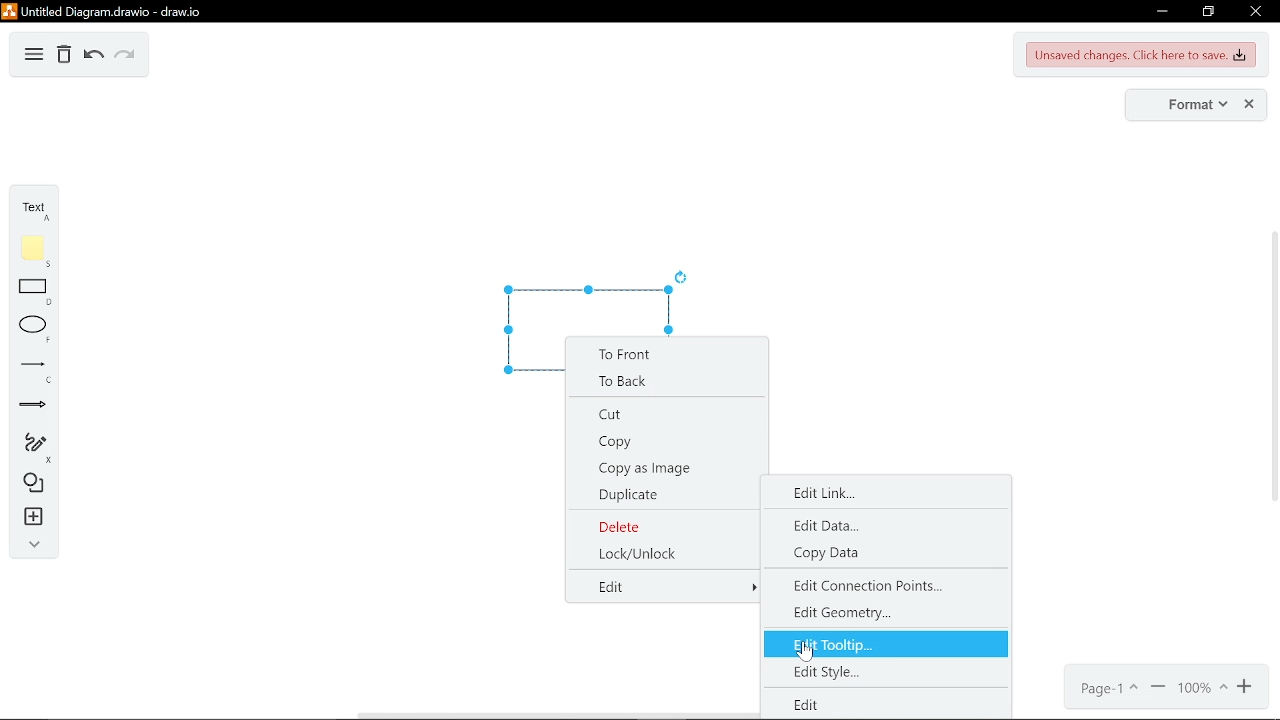 The image size is (1280, 720). What do you see at coordinates (1254, 12) in the screenshot?
I see `close` at bounding box center [1254, 12].